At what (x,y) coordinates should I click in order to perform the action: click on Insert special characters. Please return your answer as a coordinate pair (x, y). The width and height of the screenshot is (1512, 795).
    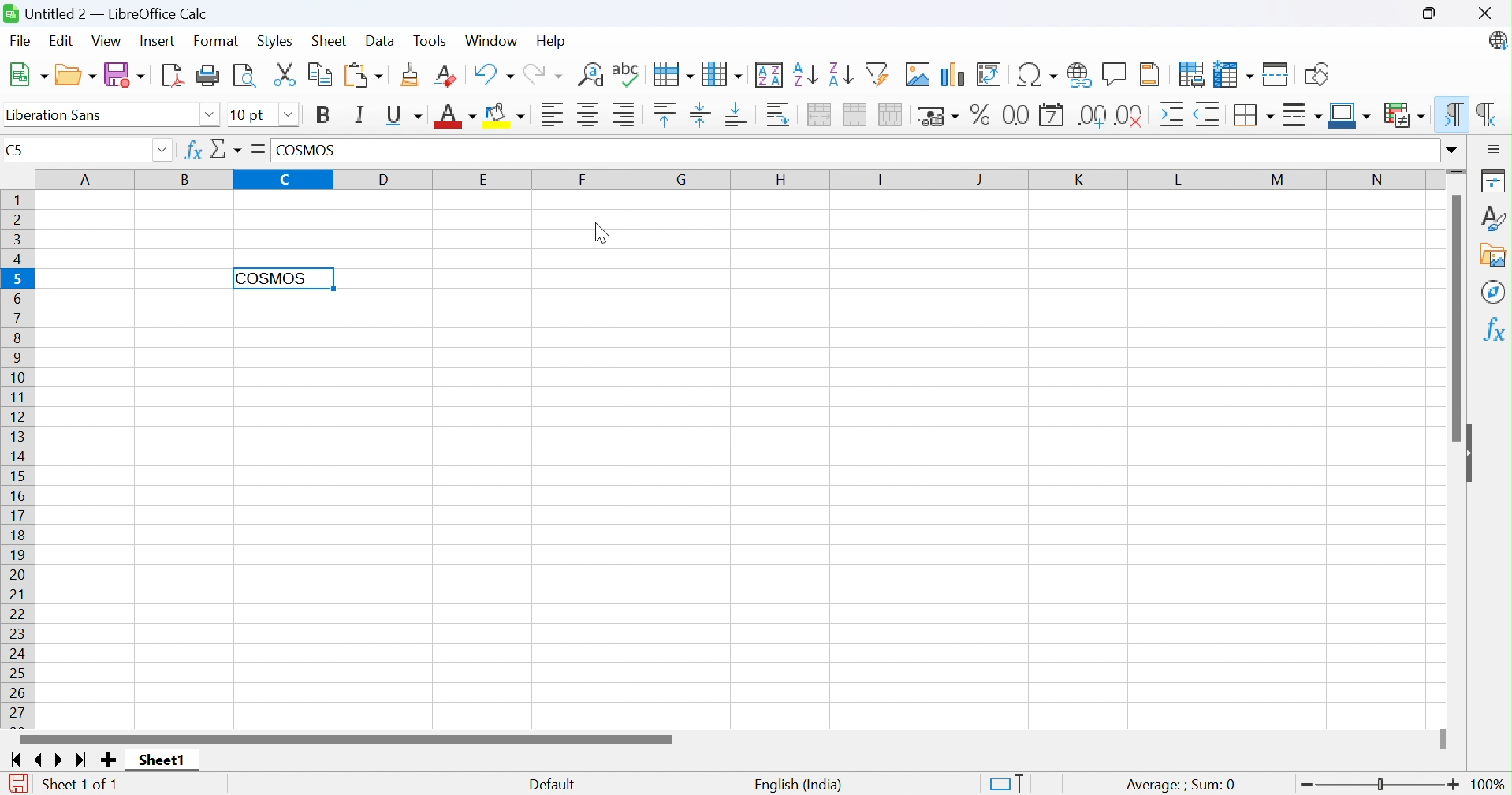
    Looking at the image, I should click on (1037, 74).